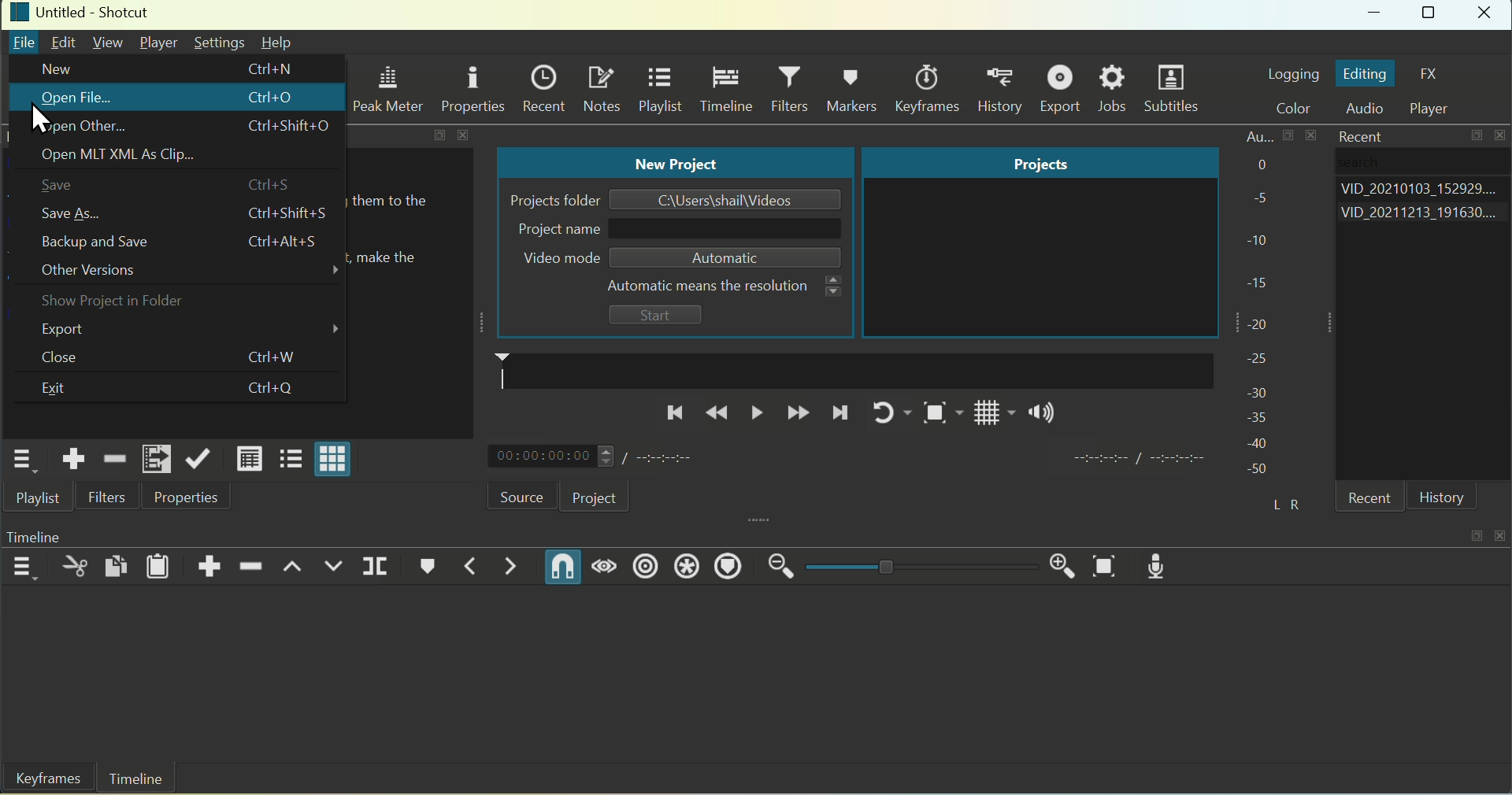 The height and width of the screenshot is (795, 1512). Describe the element at coordinates (1063, 88) in the screenshot. I see `Export` at that location.